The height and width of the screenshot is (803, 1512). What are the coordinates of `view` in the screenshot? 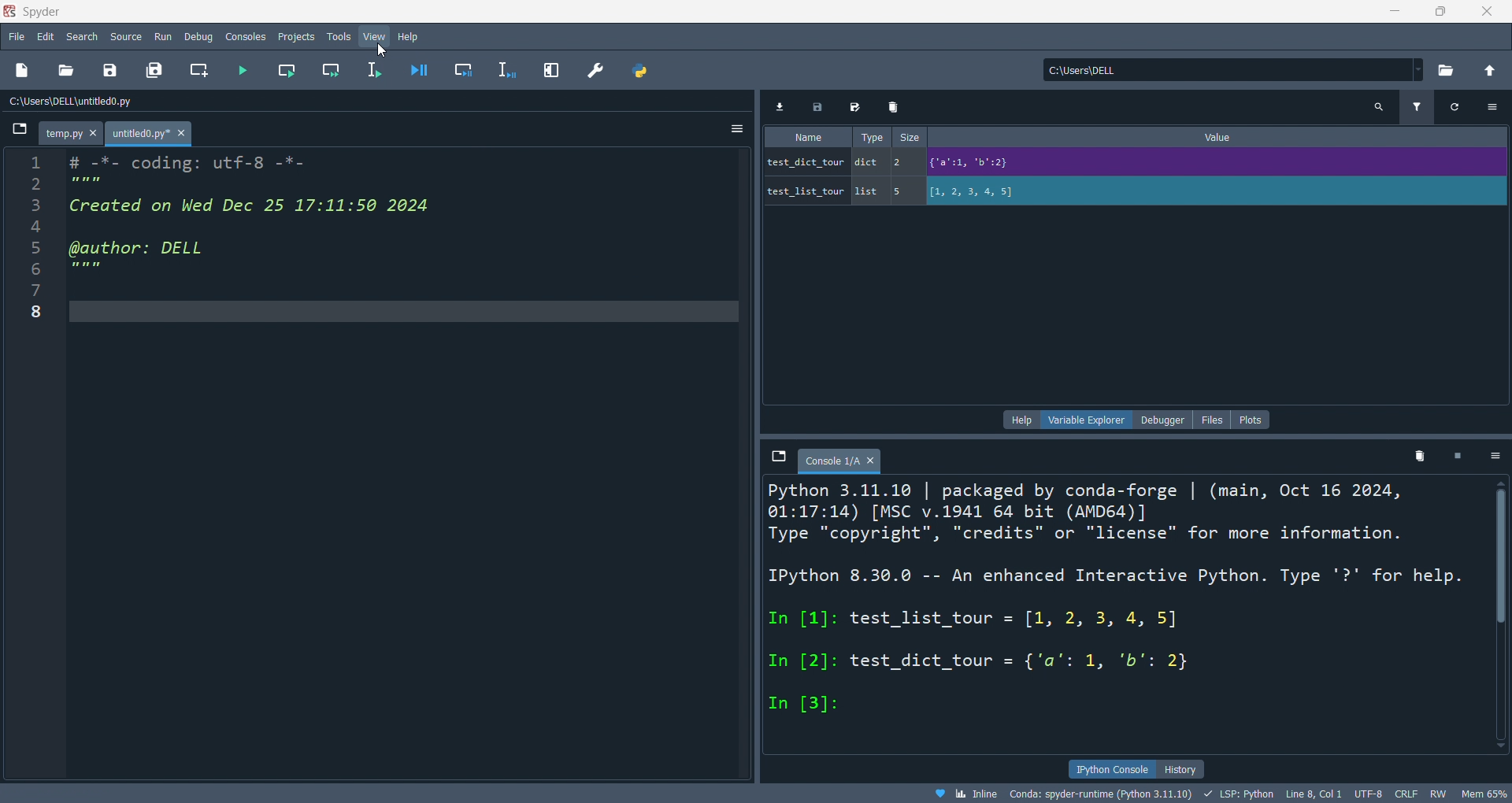 It's located at (375, 38).